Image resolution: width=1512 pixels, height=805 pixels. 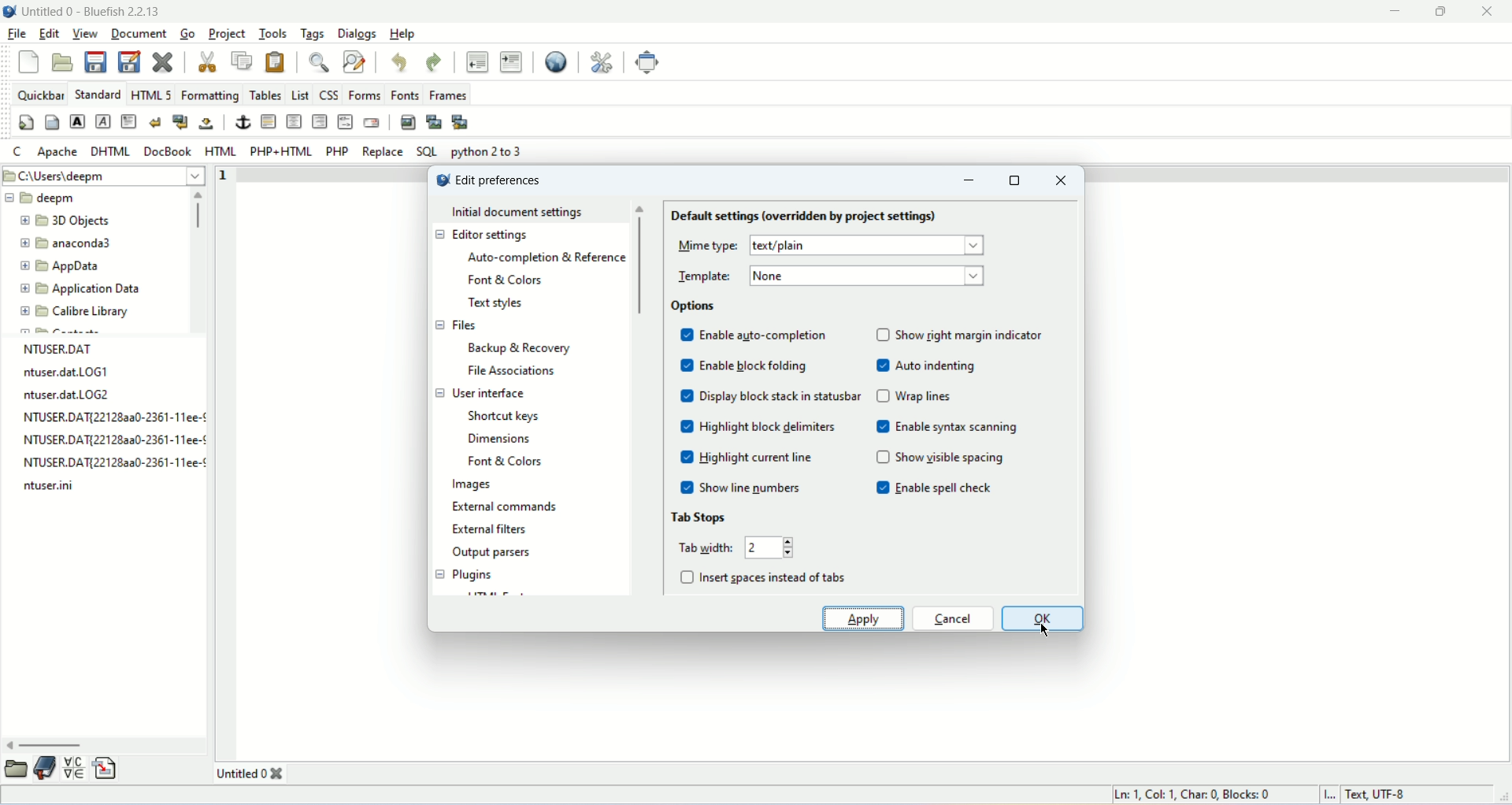 I want to click on cursor, so click(x=1050, y=632).